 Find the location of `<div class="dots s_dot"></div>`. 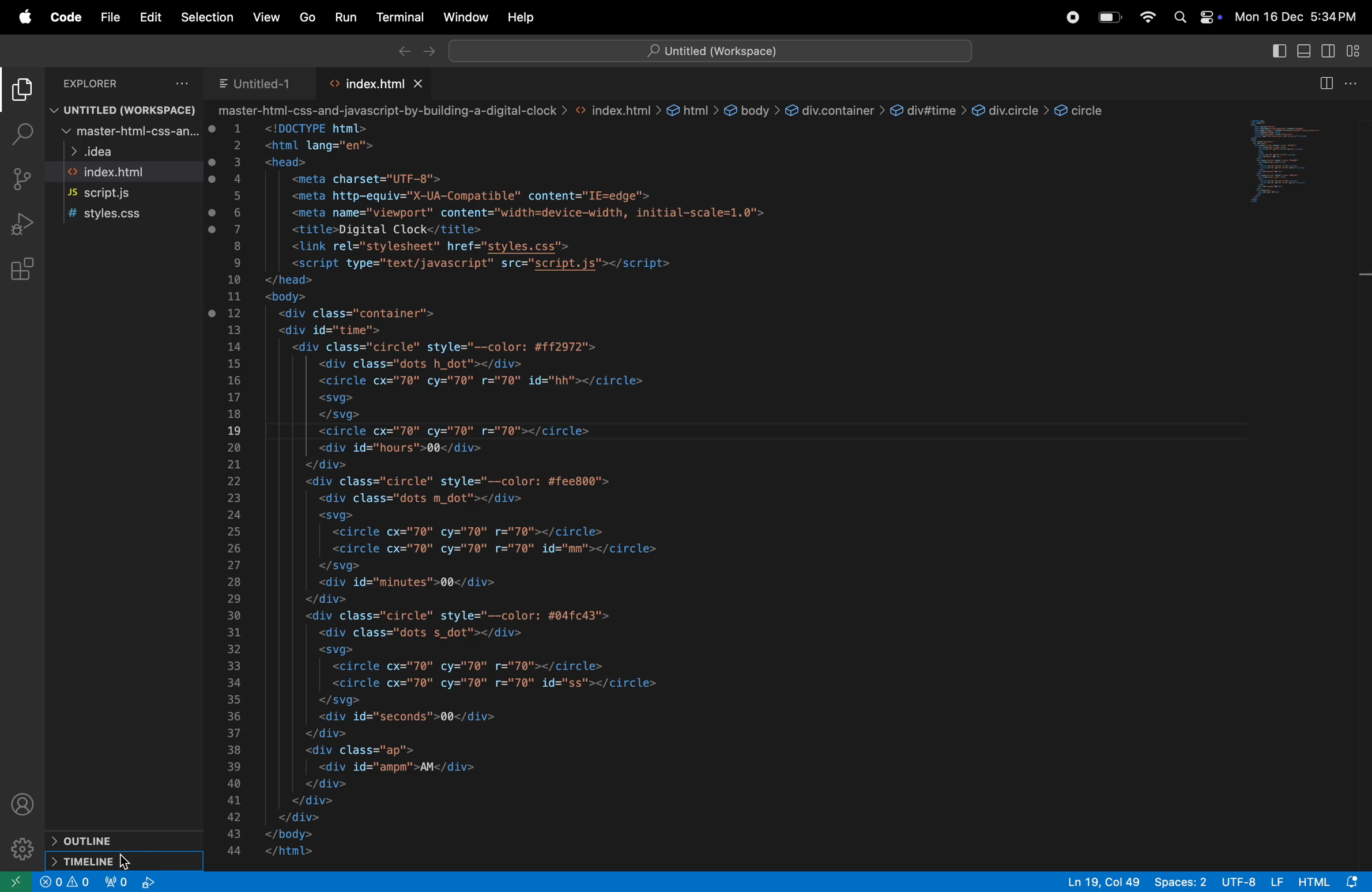

<div class="dots s_dot"></div> is located at coordinates (424, 633).